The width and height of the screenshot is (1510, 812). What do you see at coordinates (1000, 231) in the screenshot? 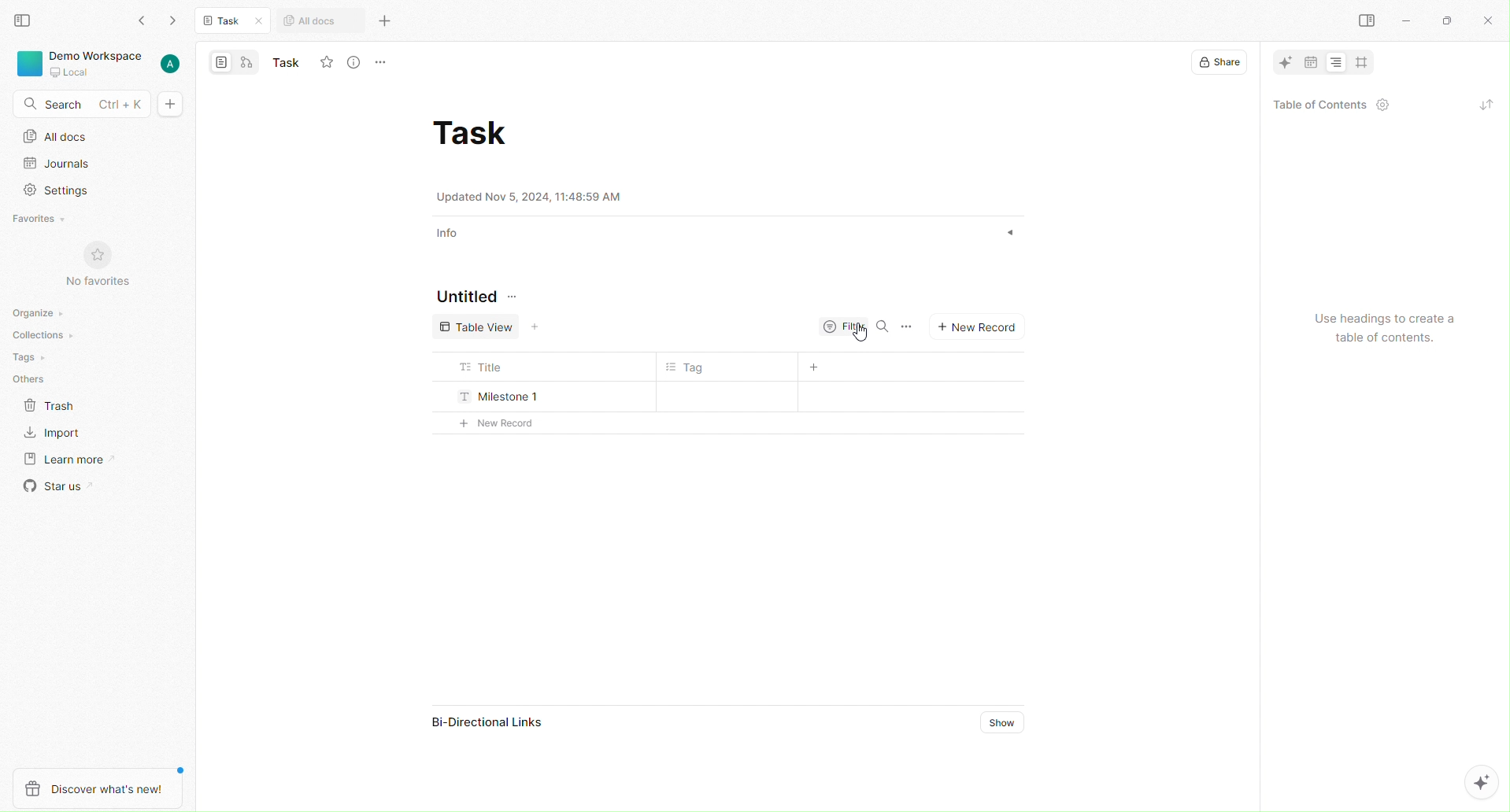
I see `show` at bounding box center [1000, 231].